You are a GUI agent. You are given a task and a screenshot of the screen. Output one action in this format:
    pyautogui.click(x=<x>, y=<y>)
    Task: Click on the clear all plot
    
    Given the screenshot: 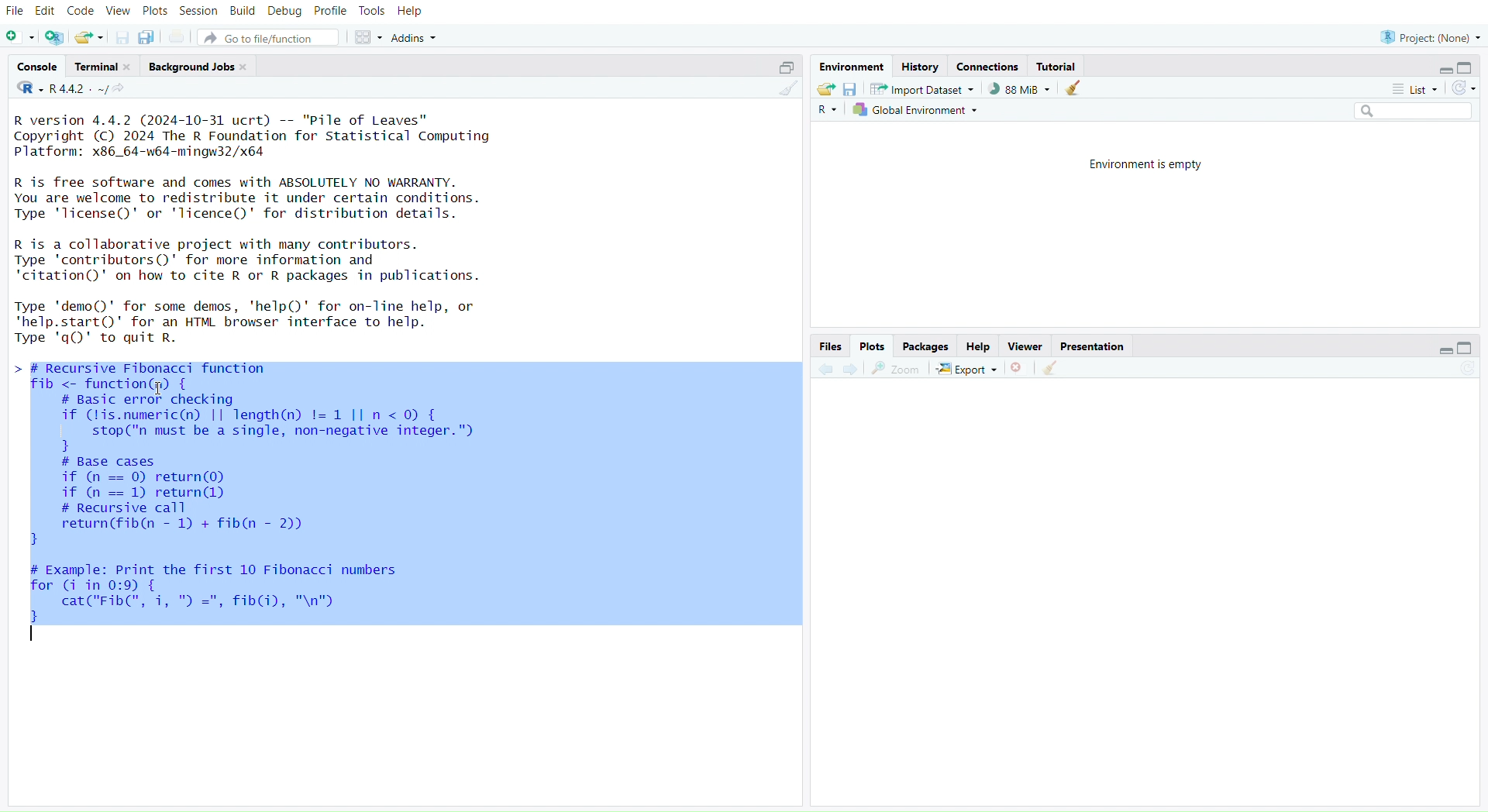 What is the action you would take?
    pyautogui.click(x=1055, y=369)
    